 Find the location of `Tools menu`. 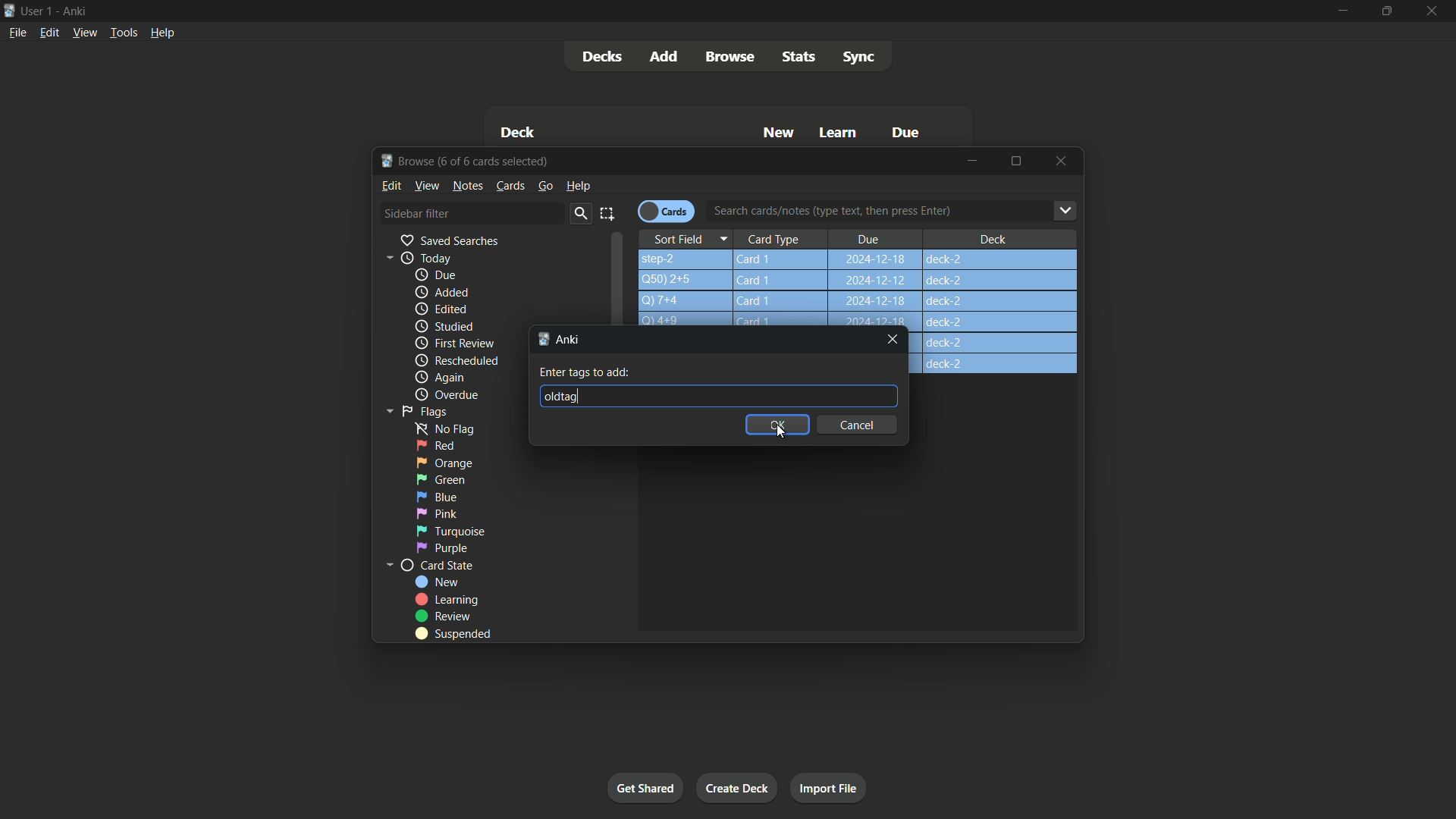

Tools menu is located at coordinates (121, 33).